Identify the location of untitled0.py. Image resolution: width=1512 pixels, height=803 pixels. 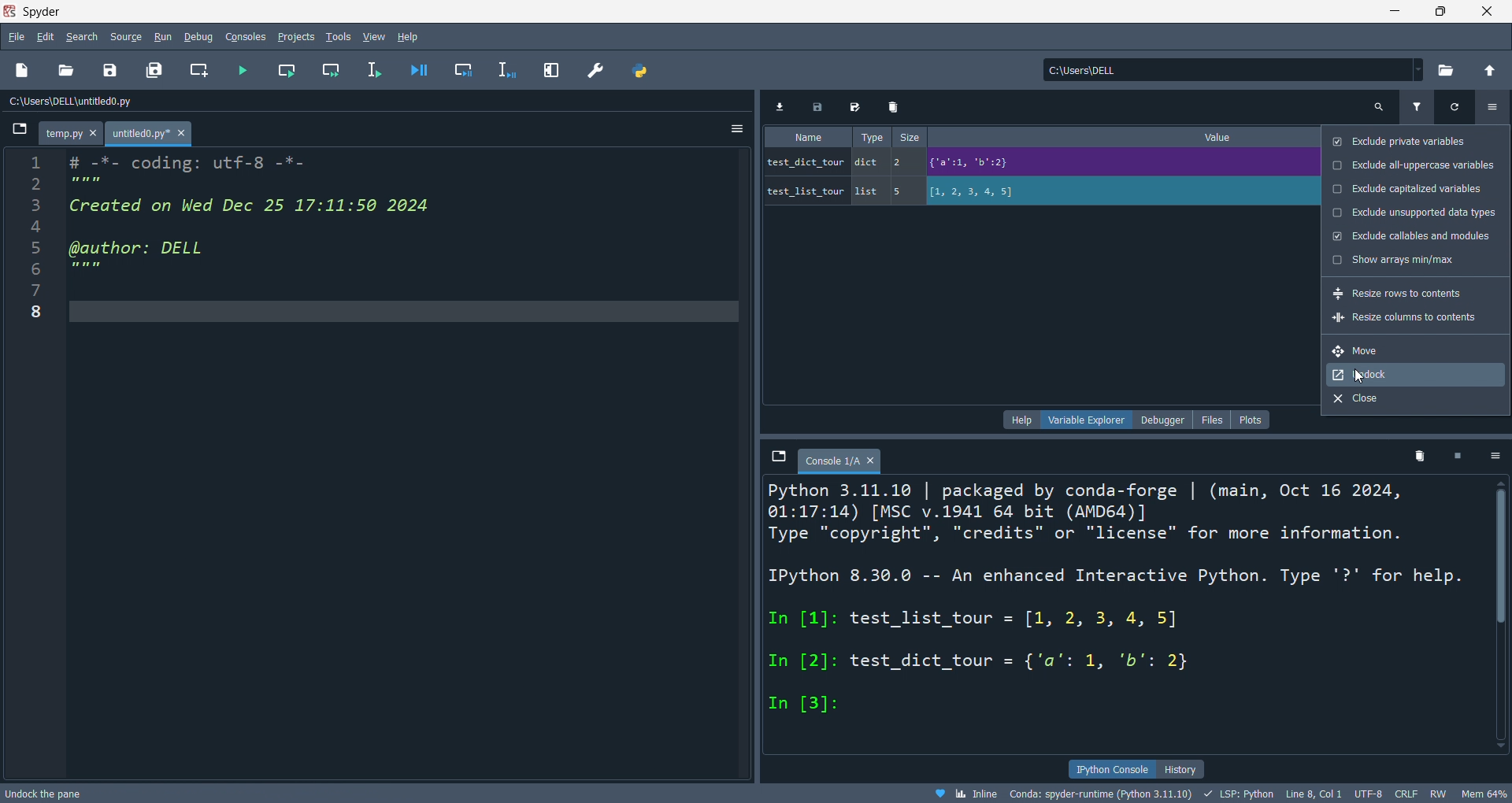
(149, 134).